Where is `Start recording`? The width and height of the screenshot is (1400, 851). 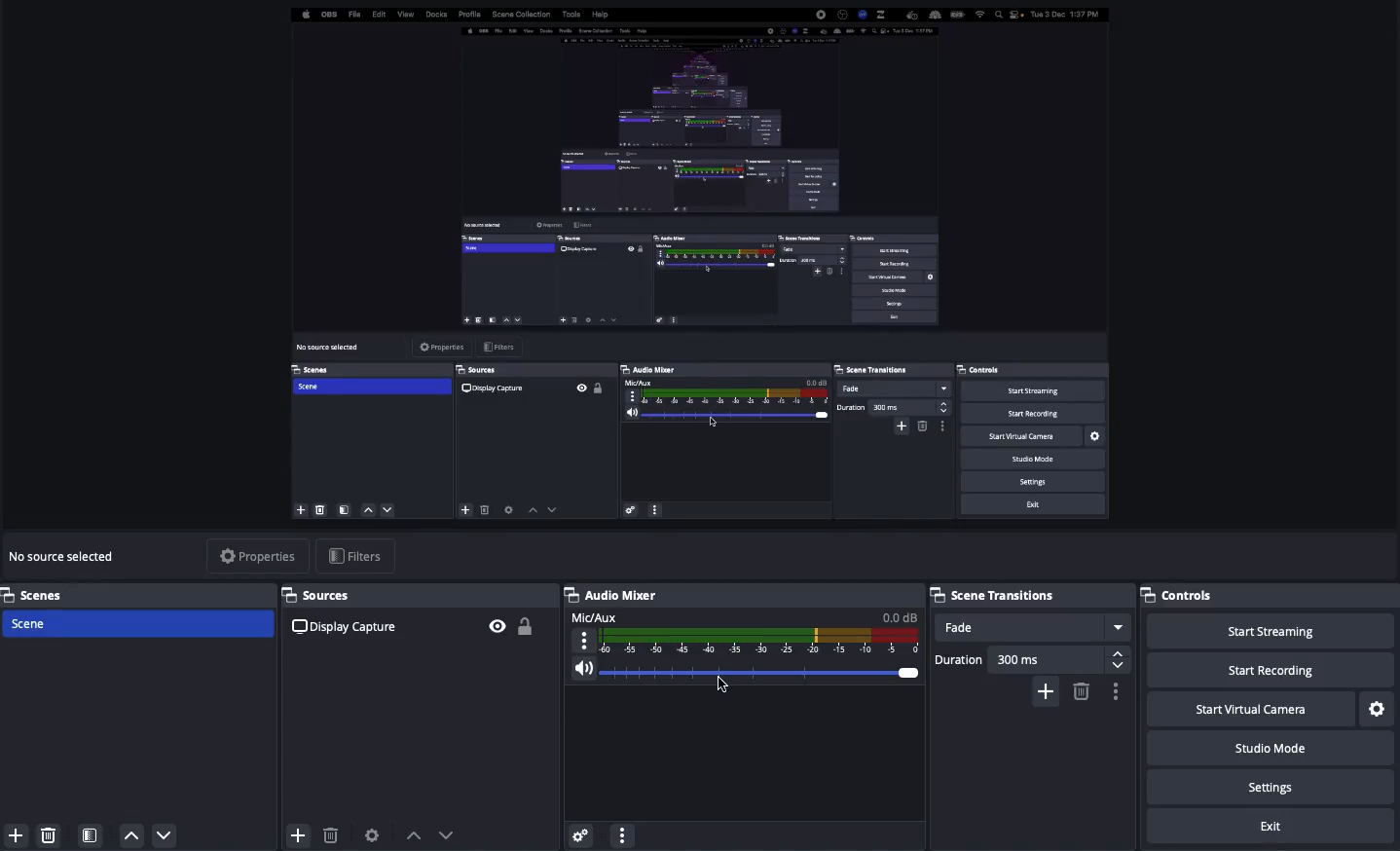
Start recording is located at coordinates (1271, 672).